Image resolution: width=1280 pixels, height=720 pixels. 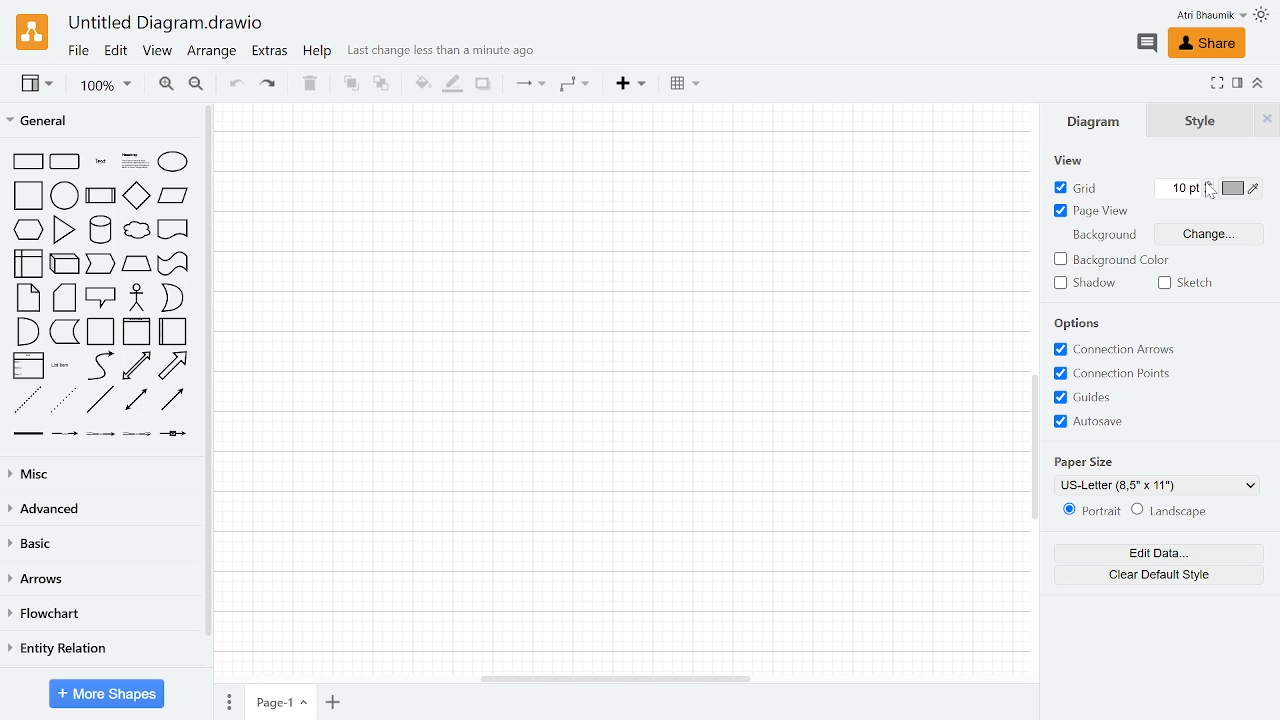 What do you see at coordinates (1071, 322) in the screenshot?
I see `Options` at bounding box center [1071, 322].